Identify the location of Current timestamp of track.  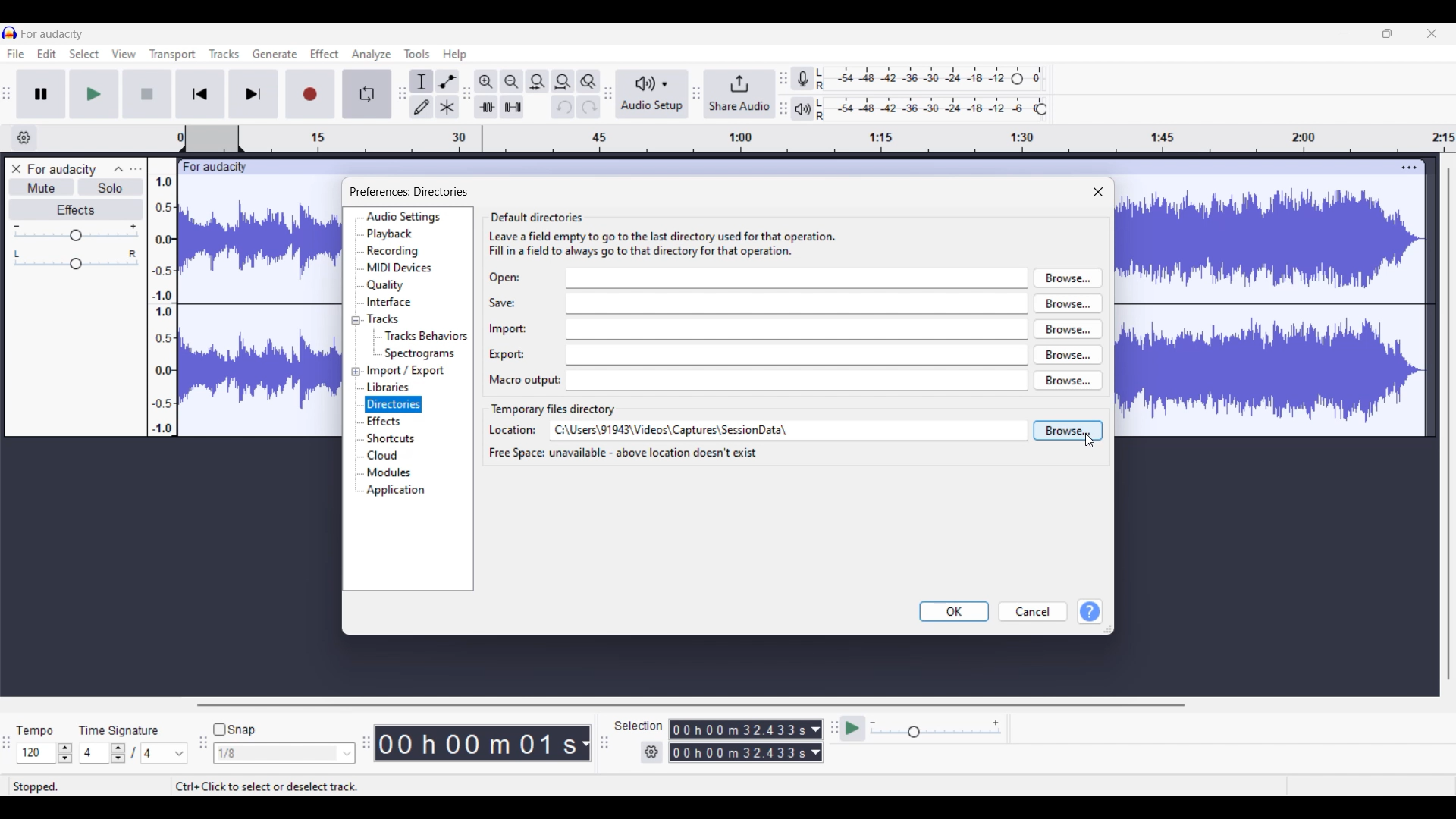
(476, 743).